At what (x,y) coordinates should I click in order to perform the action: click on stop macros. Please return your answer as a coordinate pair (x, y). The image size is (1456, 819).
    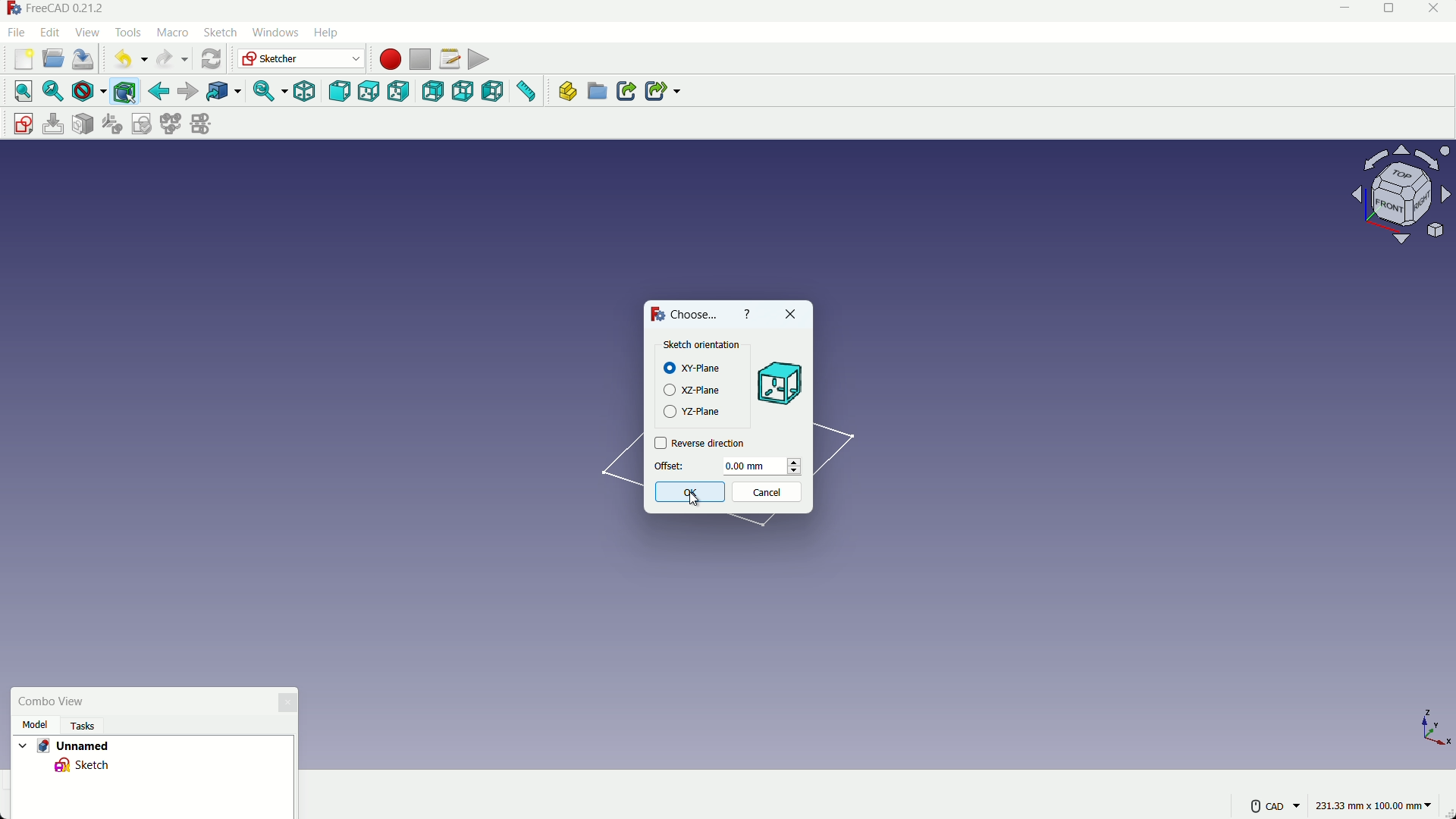
    Looking at the image, I should click on (419, 60).